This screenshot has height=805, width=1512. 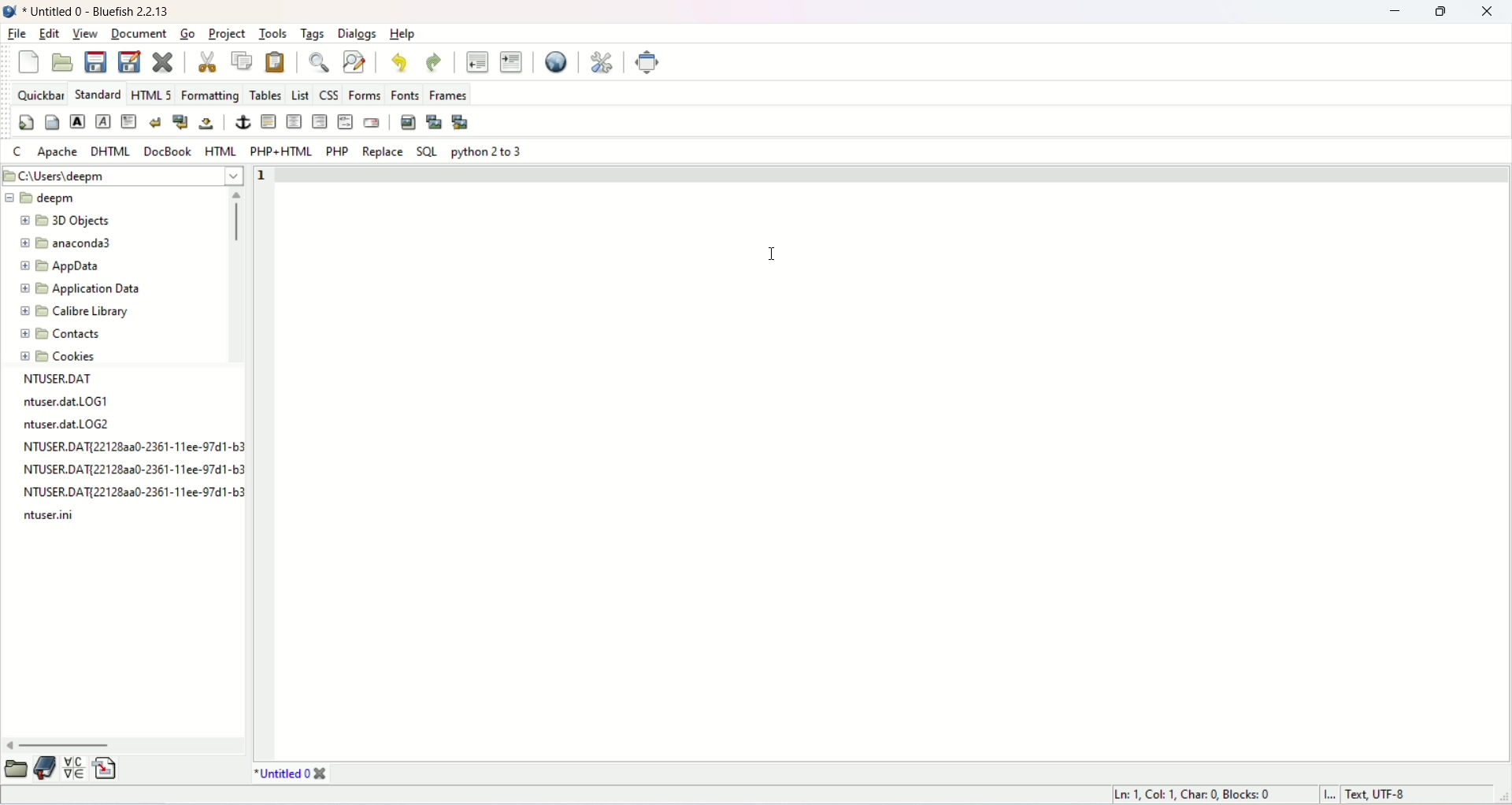 I want to click on contacts, so click(x=57, y=333).